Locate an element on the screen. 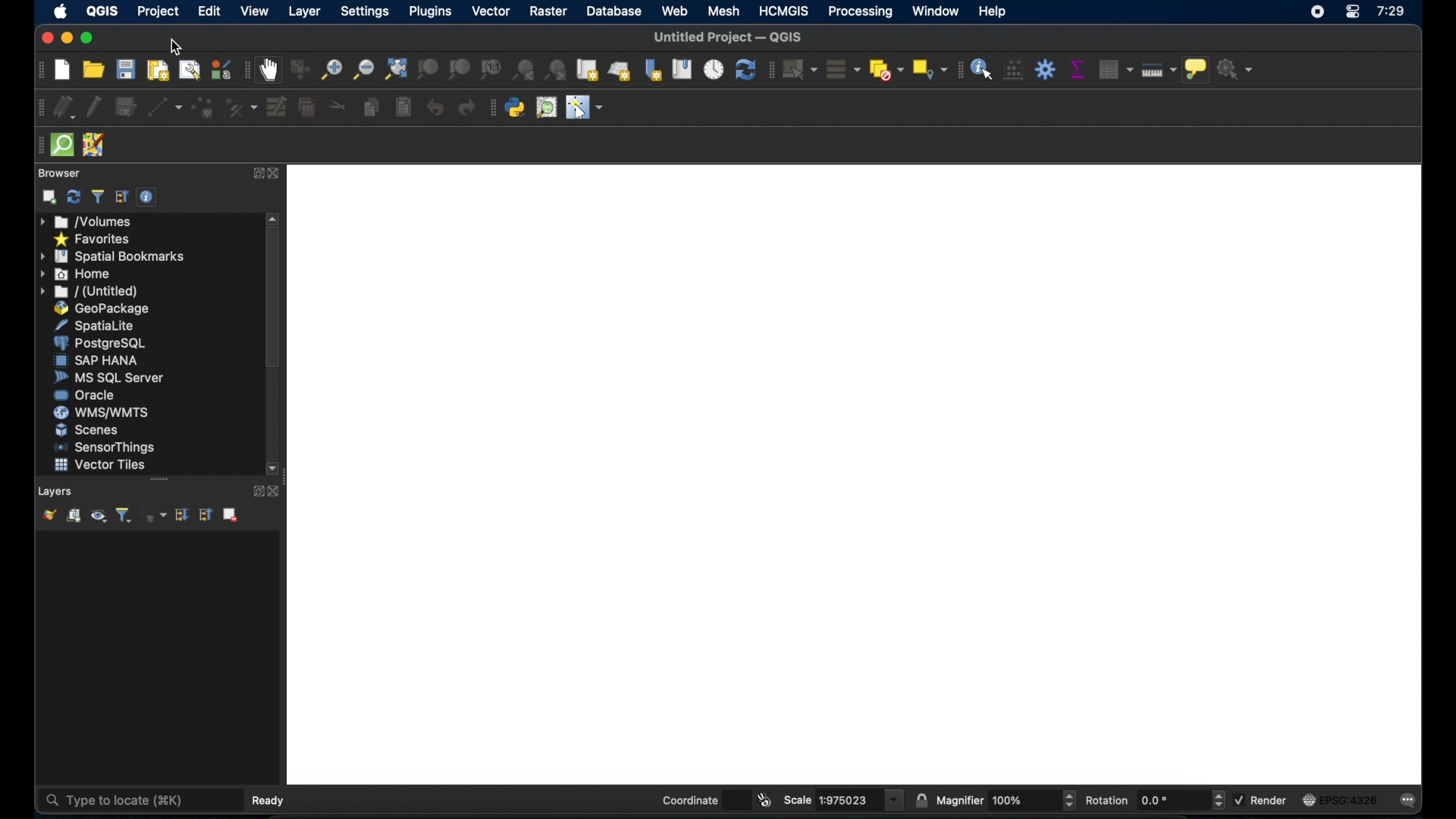  undo is located at coordinates (435, 105).